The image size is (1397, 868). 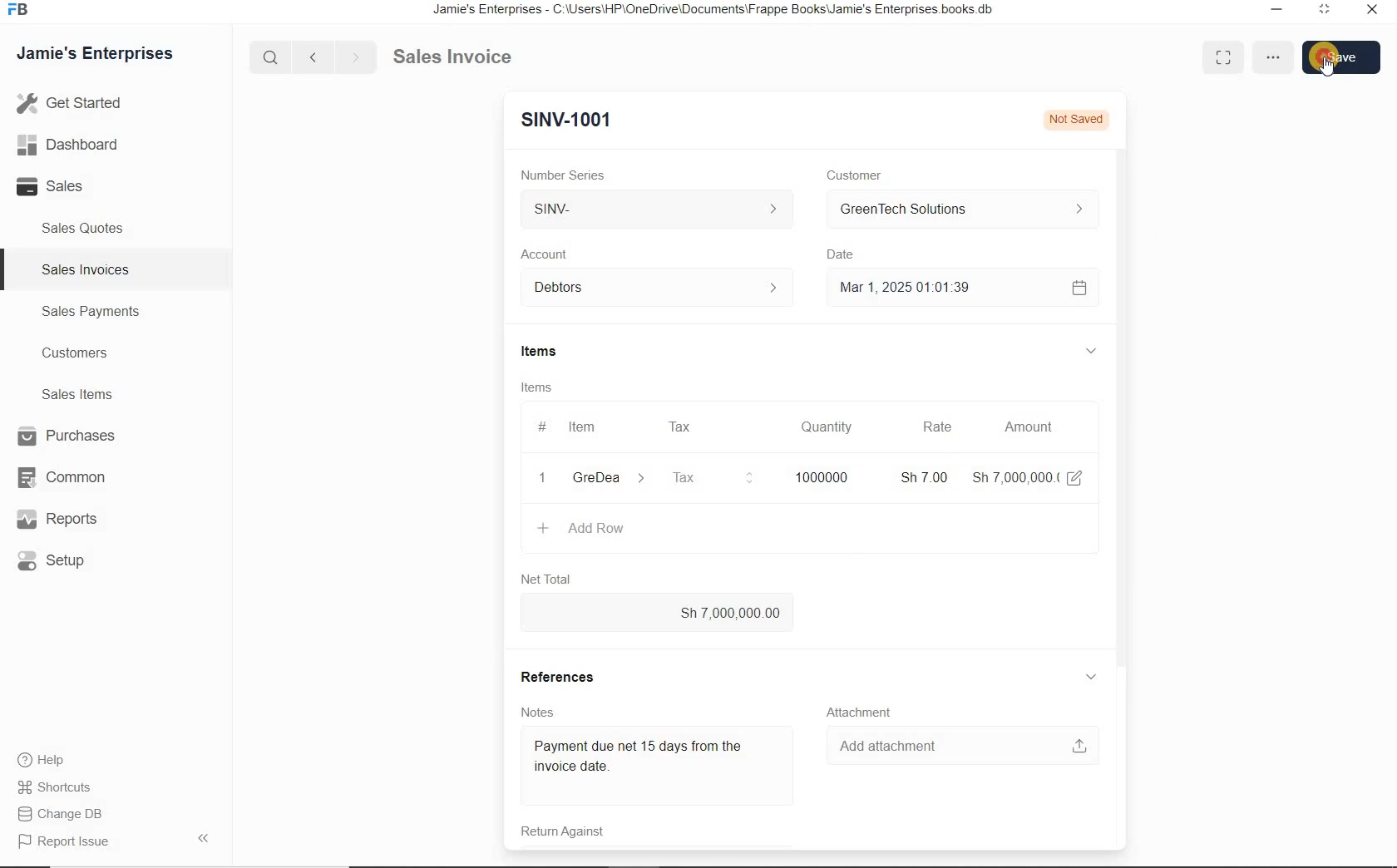 What do you see at coordinates (827, 427) in the screenshot?
I see `Quantity` at bounding box center [827, 427].